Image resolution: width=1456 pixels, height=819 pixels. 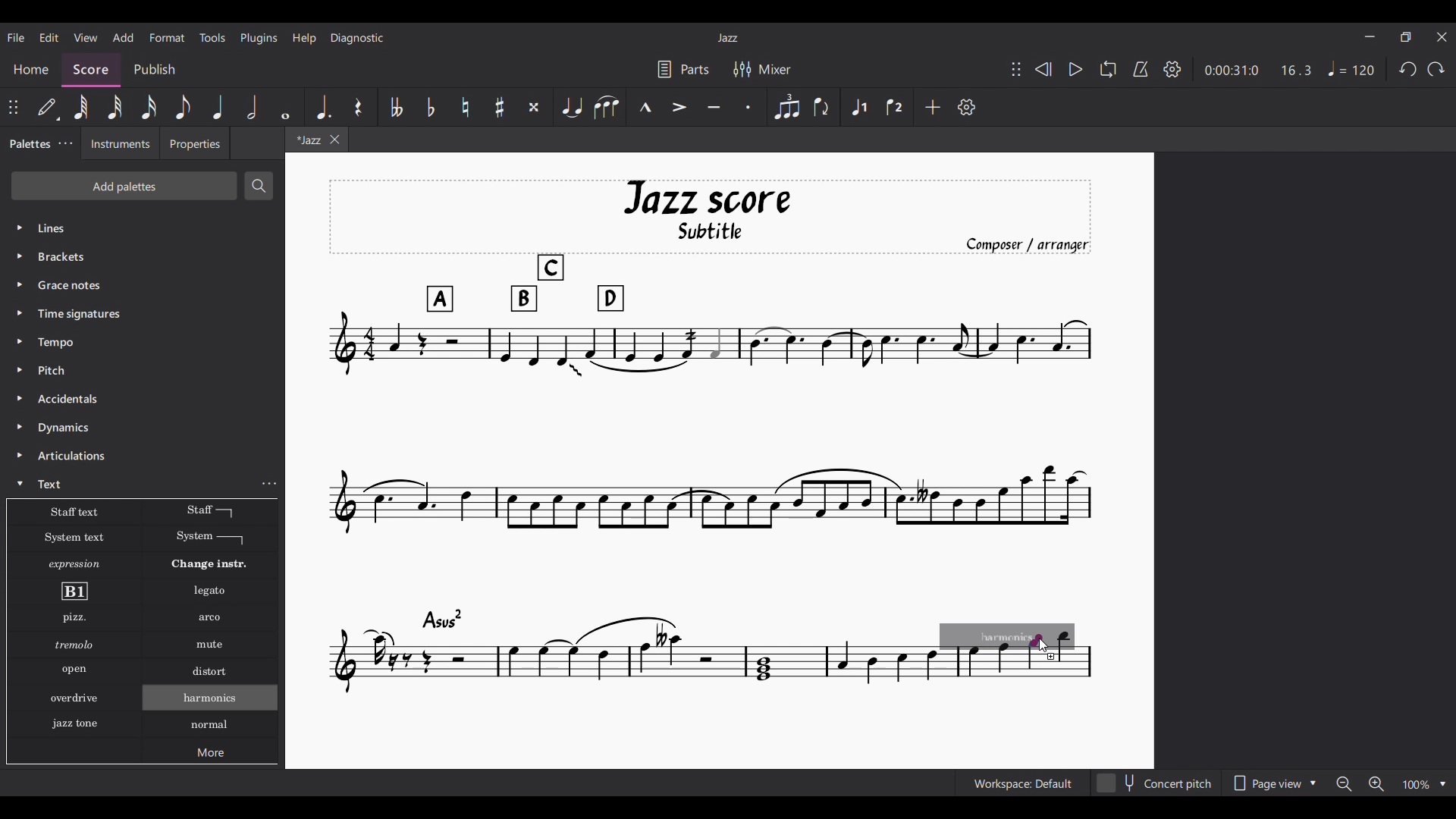 What do you see at coordinates (121, 145) in the screenshot?
I see `Instruments` at bounding box center [121, 145].